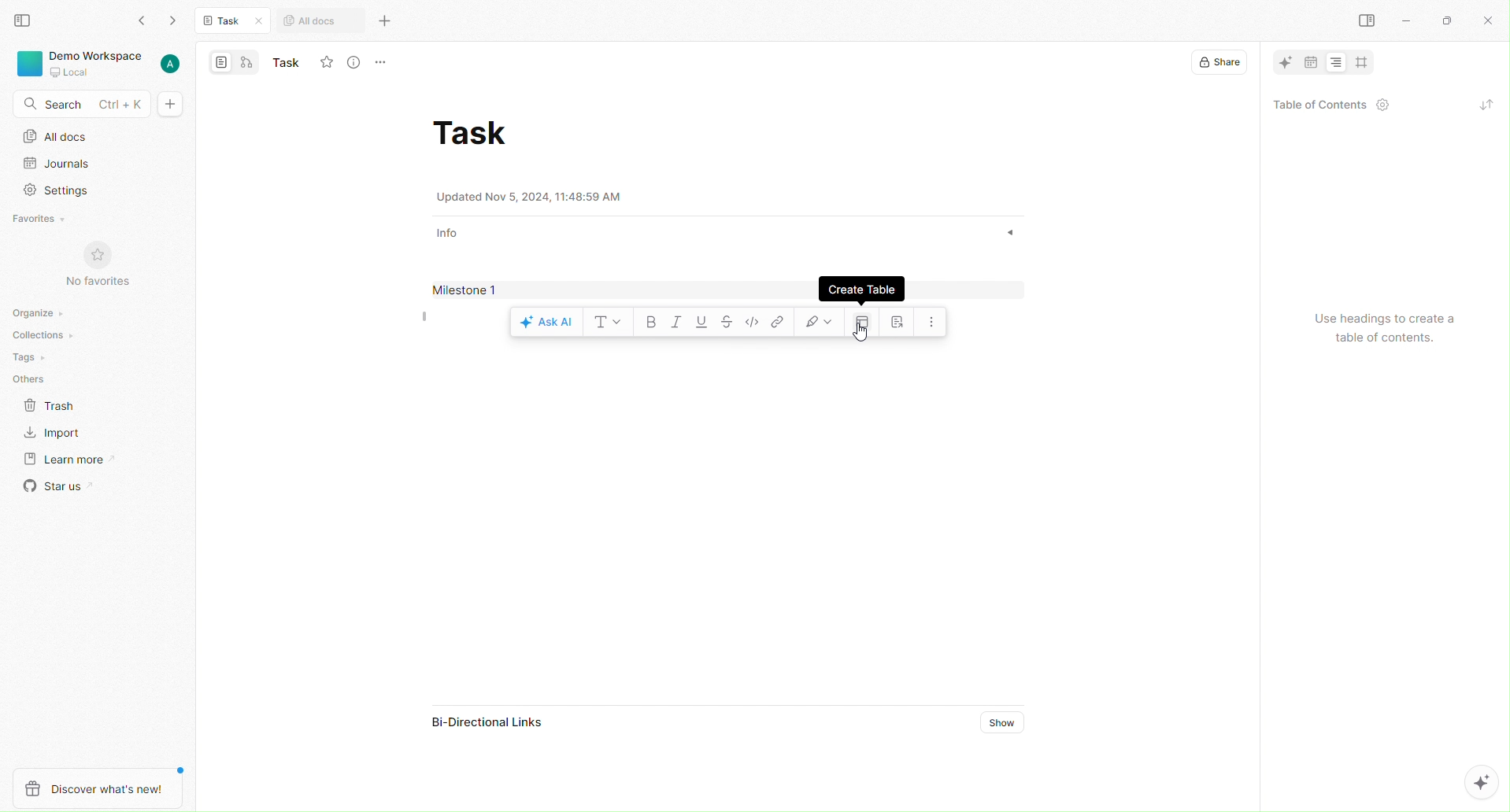 The image size is (1510, 812). Describe the element at coordinates (387, 21) in the screenshot. I see `More` at that location.